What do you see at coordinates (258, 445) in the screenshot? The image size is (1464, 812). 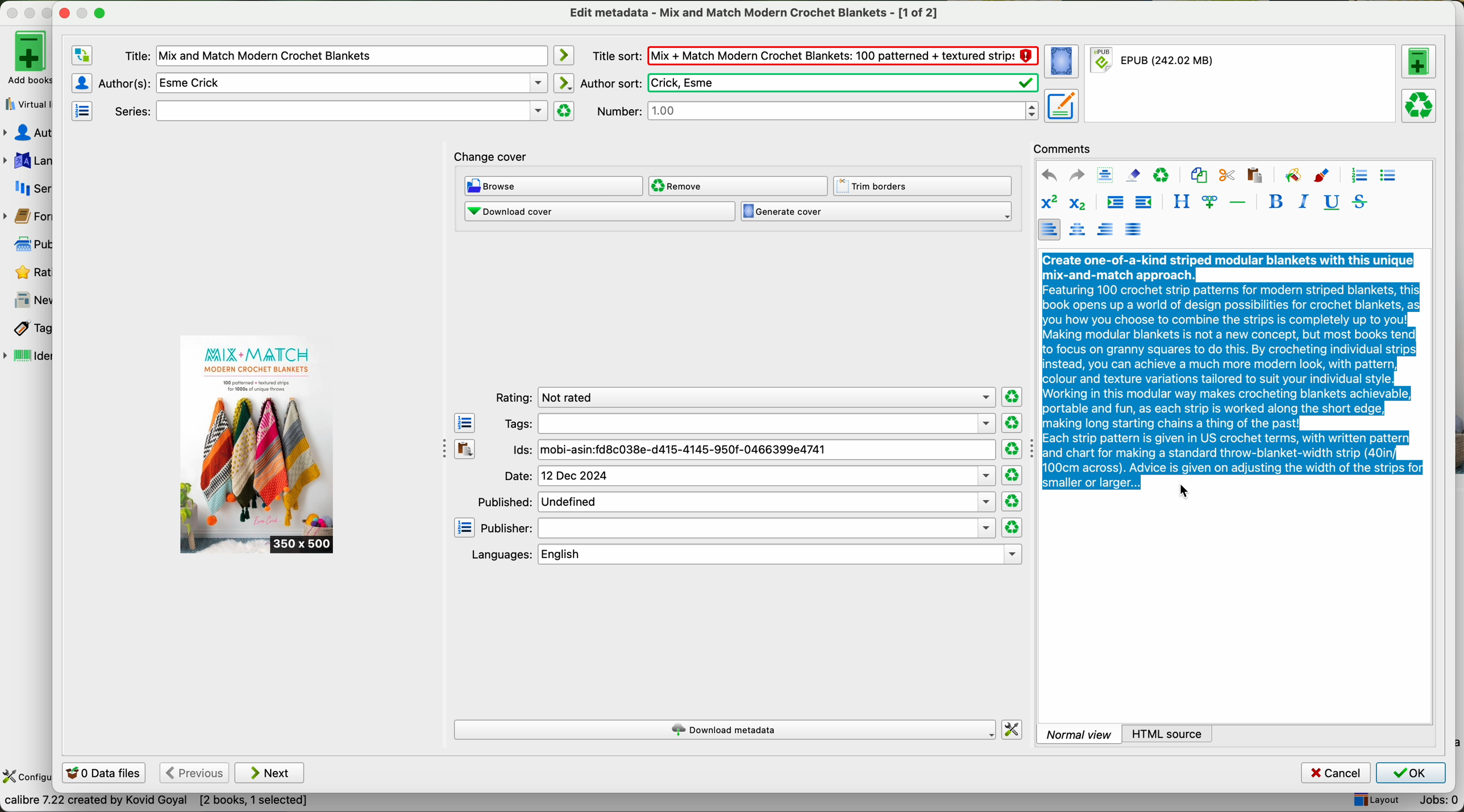 I see `book cover preview` at bounding box center [258, 445].